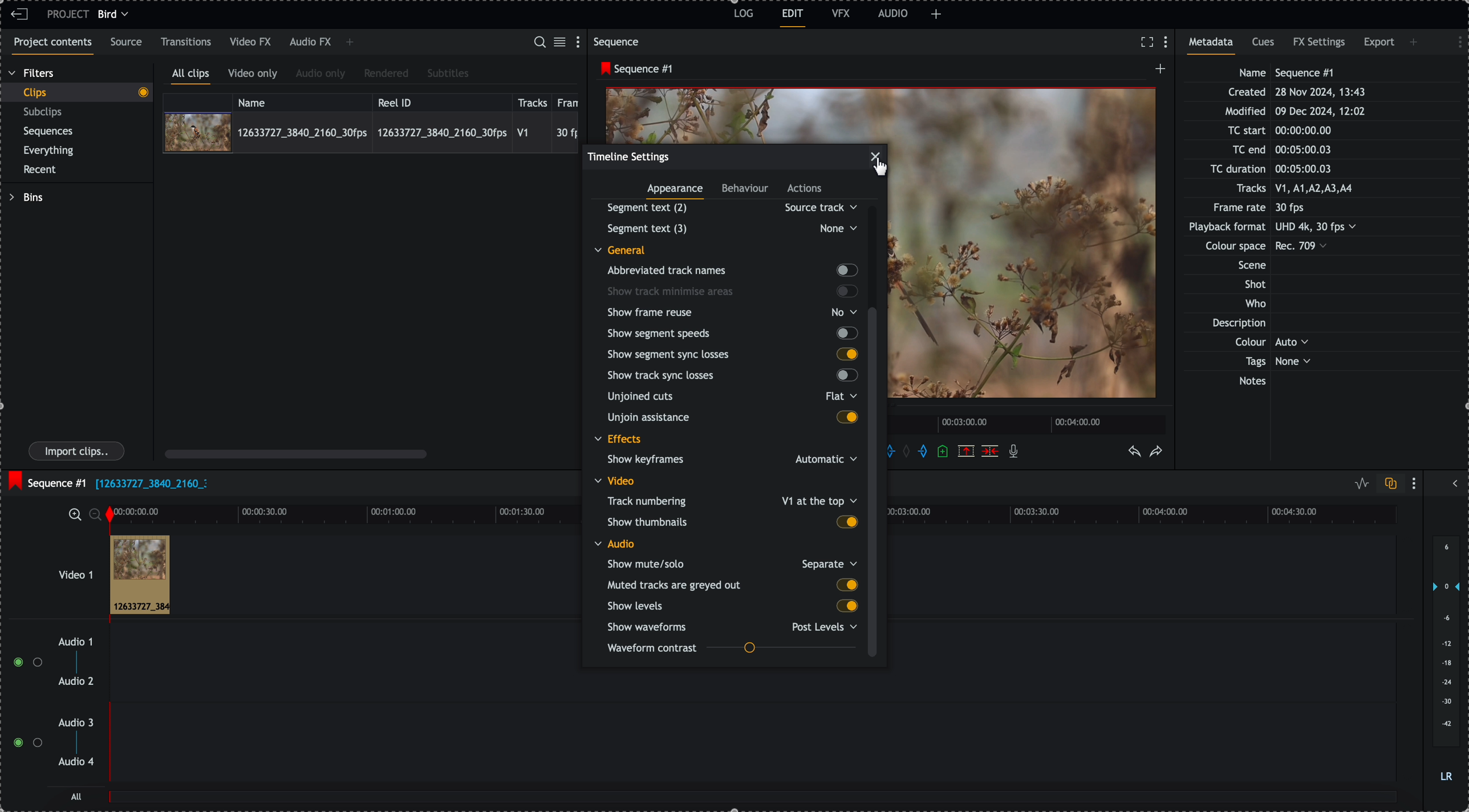 The image size is (1469, 812). I want to click on sequences, so click(48, 133).